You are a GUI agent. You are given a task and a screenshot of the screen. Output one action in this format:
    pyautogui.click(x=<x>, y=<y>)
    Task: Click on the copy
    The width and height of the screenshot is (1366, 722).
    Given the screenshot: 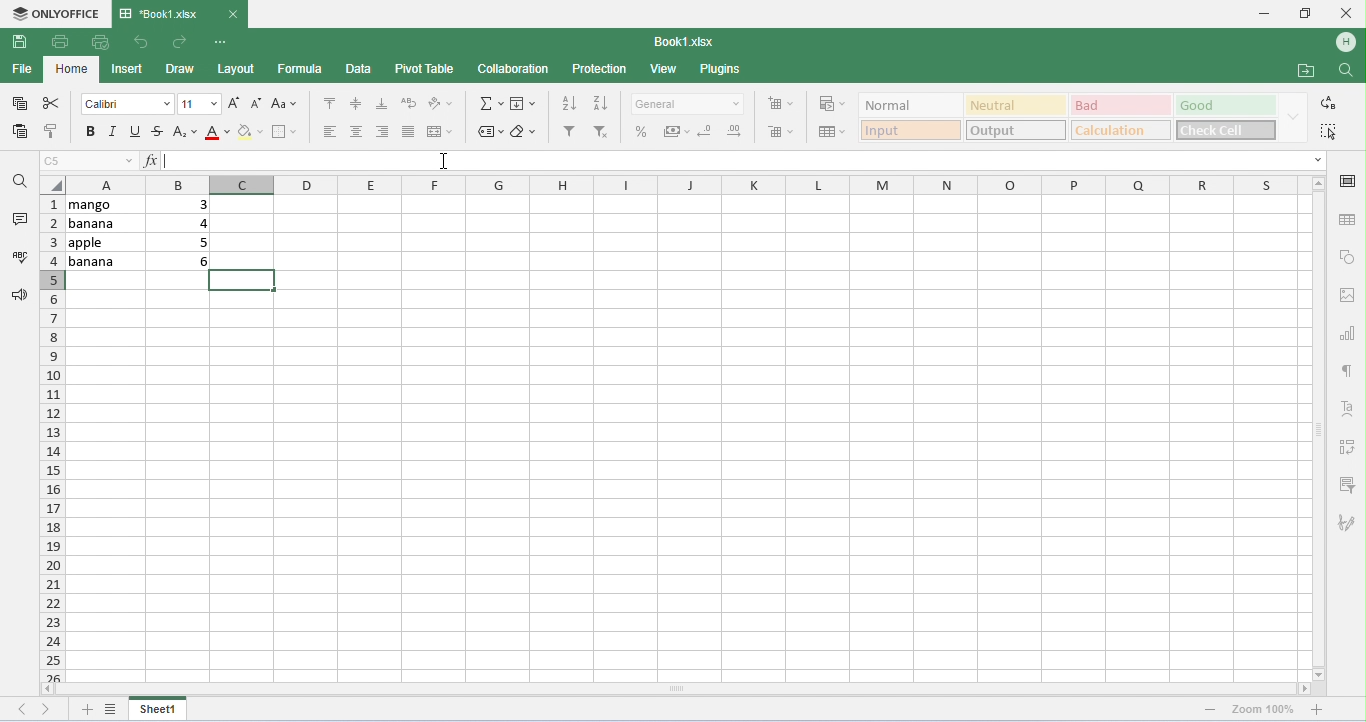 What is the action you would take?
    pyautogui.click(x=20, y=104)
    